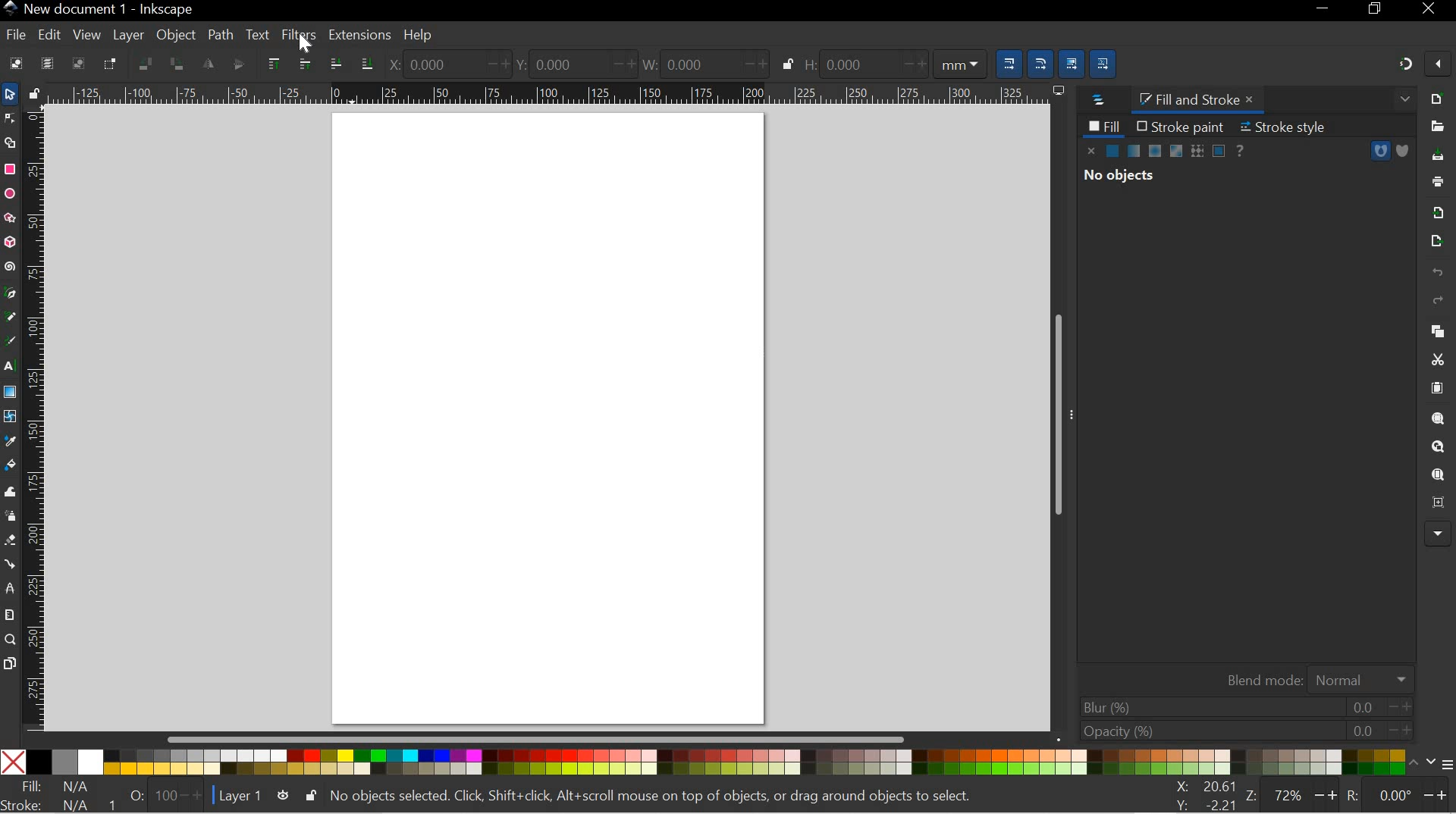  I want to click on SELECT ALL IN ALL LAYERS, so click(47, 63).